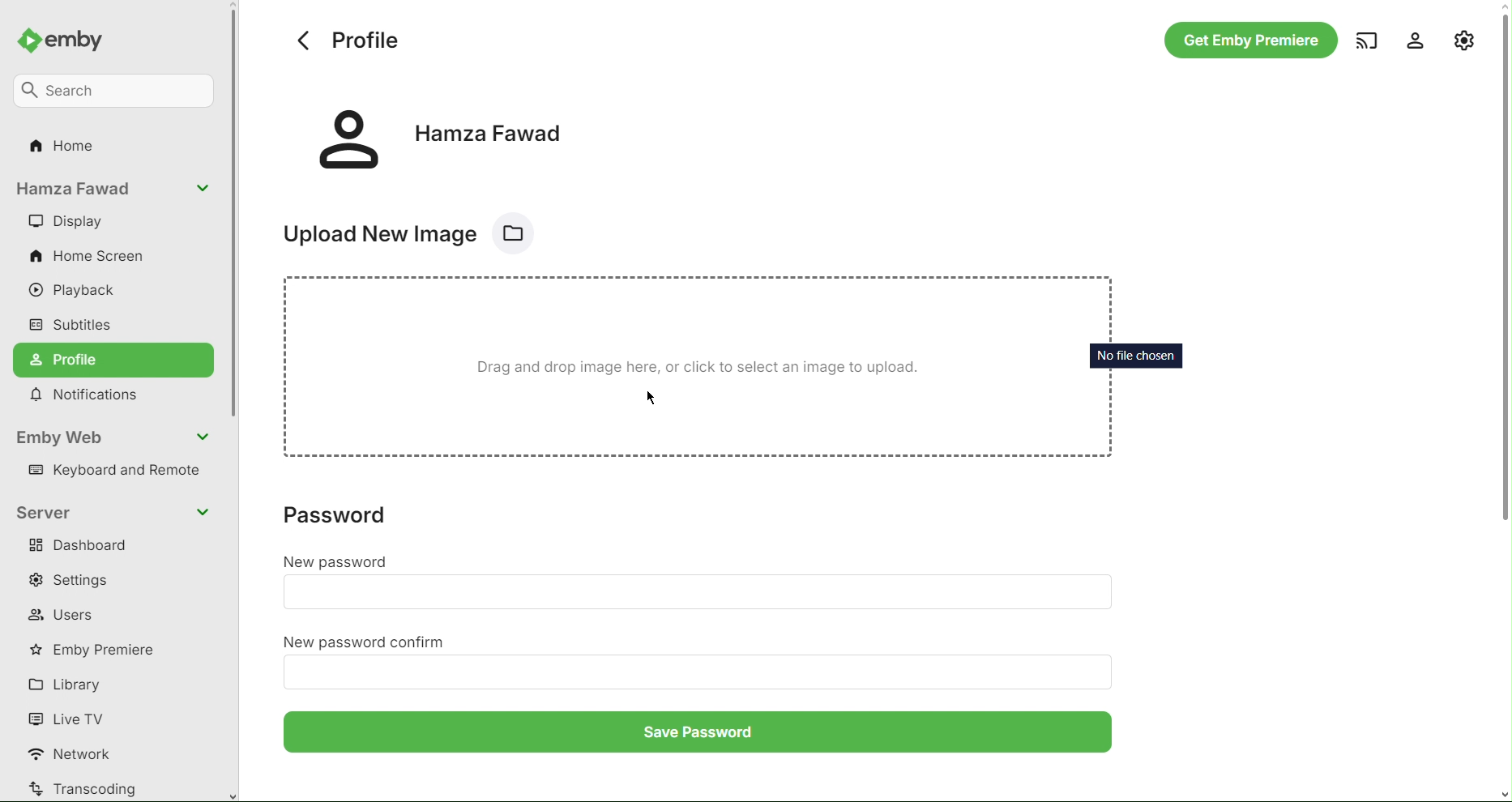 Image resolution: width=1512 pixels, height=802 pixels. I want to click on Profile, so click(115, 360).